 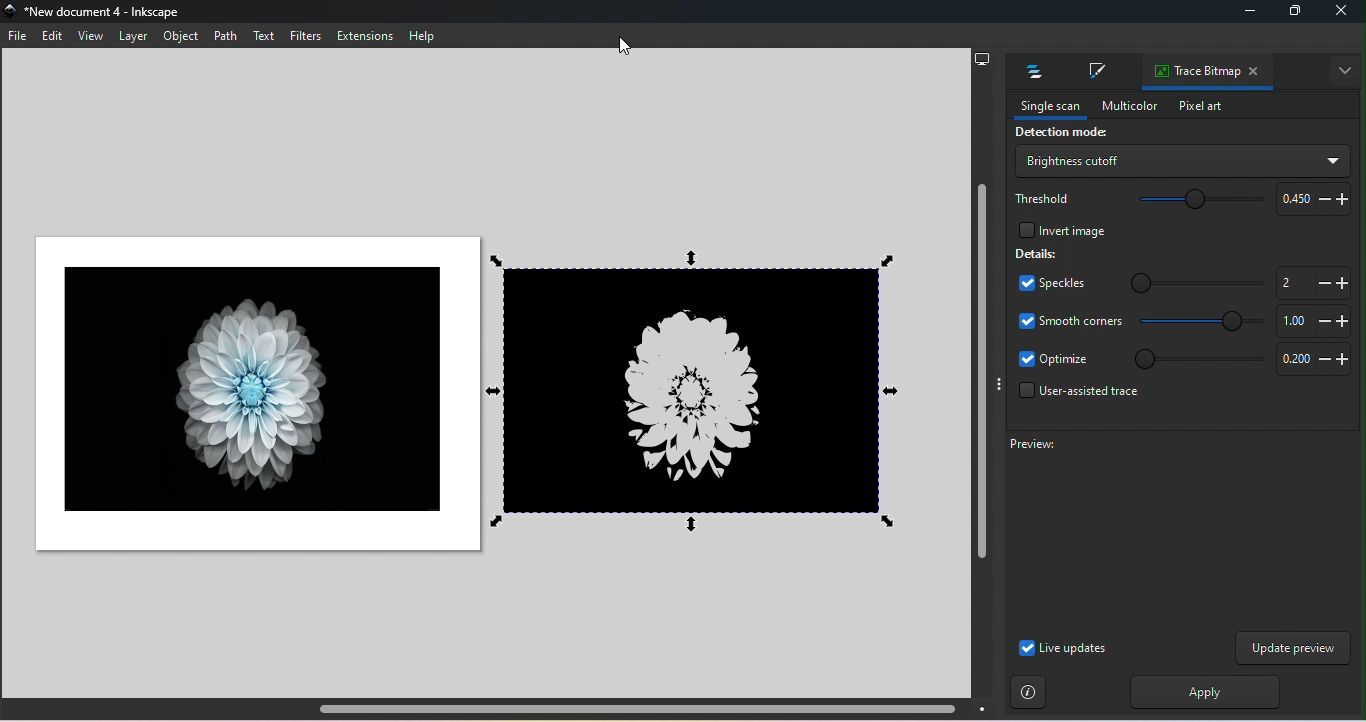 I want to click on Live updates, so click(x=1062, y=648).